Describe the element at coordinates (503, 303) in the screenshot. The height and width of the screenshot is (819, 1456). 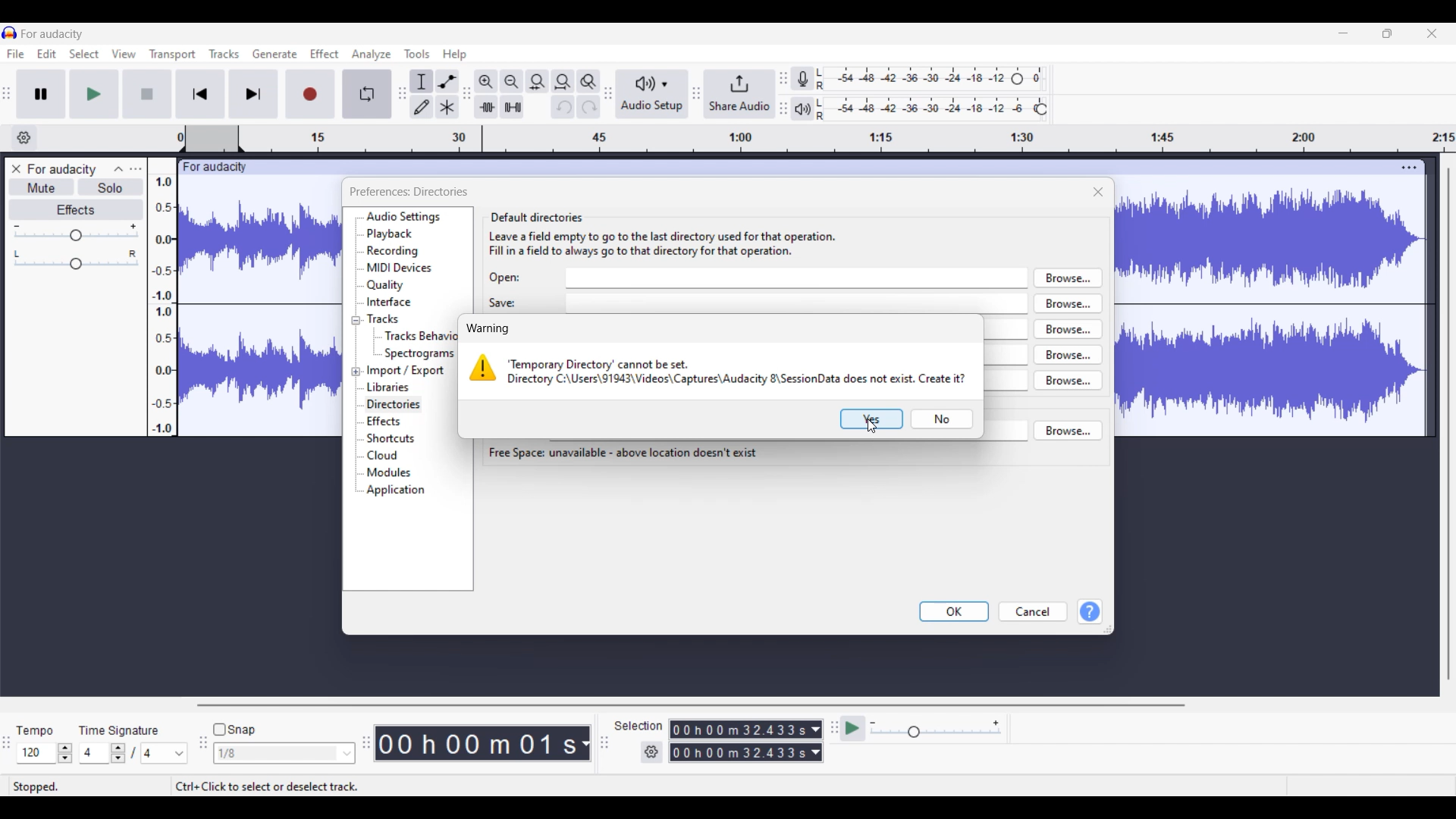
I see `Indicates text box for save` at that location.